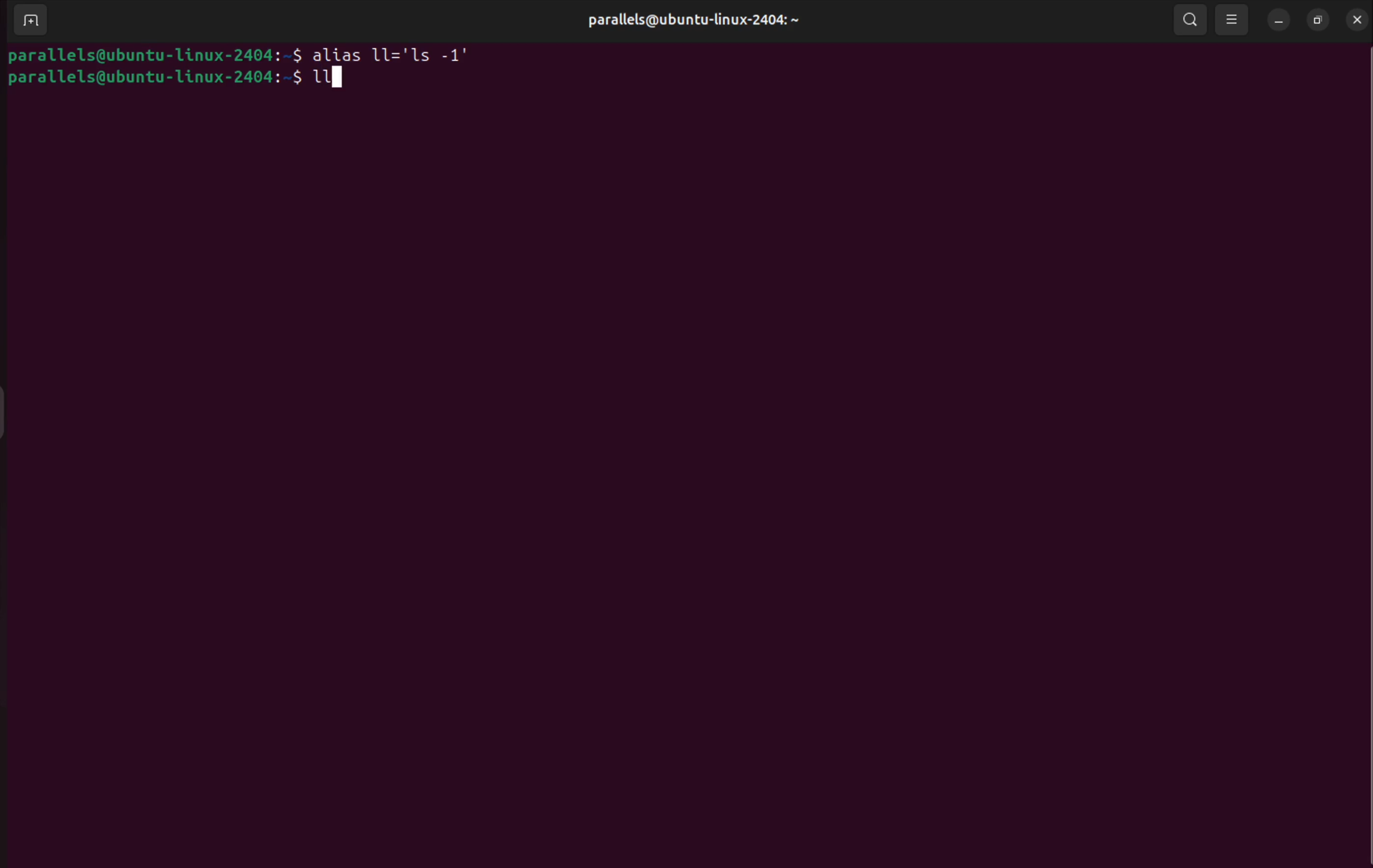 This screenshot has width=1373, height=868. I want to click on cursor, so click(319, 76).